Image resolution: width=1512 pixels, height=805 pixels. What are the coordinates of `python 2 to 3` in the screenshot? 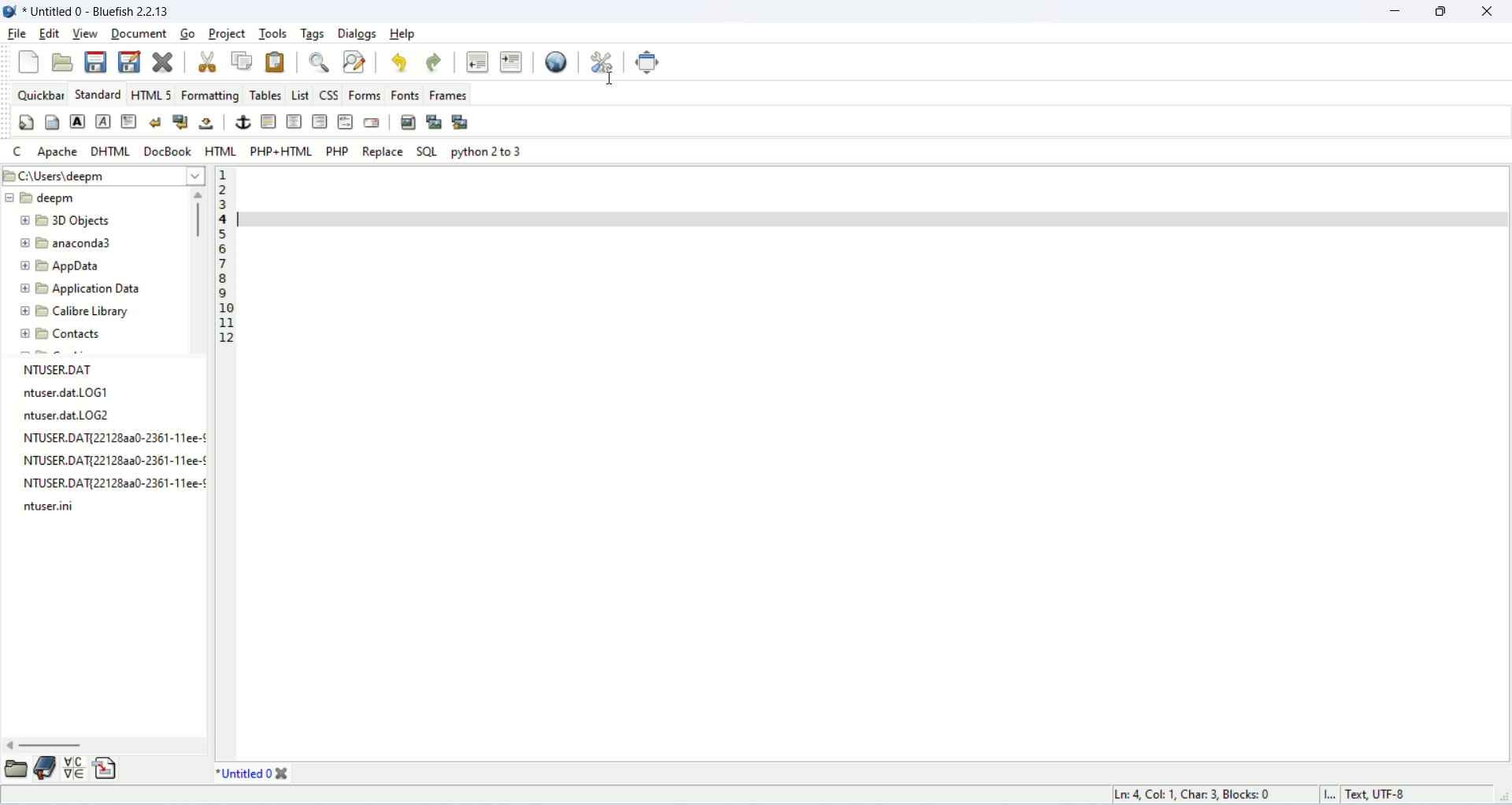 It's located at (487, 150).